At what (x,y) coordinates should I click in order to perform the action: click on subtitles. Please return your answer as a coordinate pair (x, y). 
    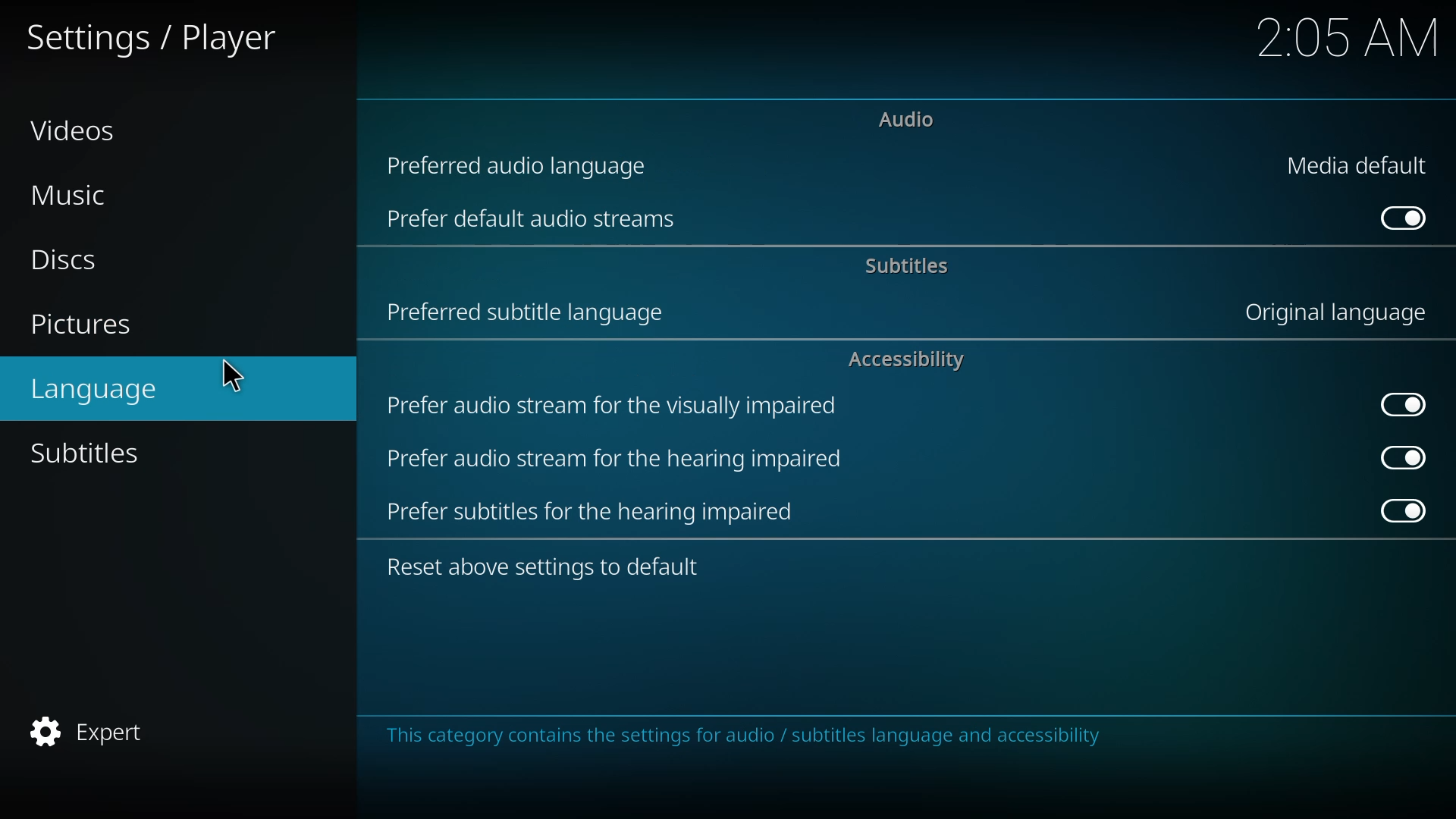
    Looking at the image, I should click on (93, 453).